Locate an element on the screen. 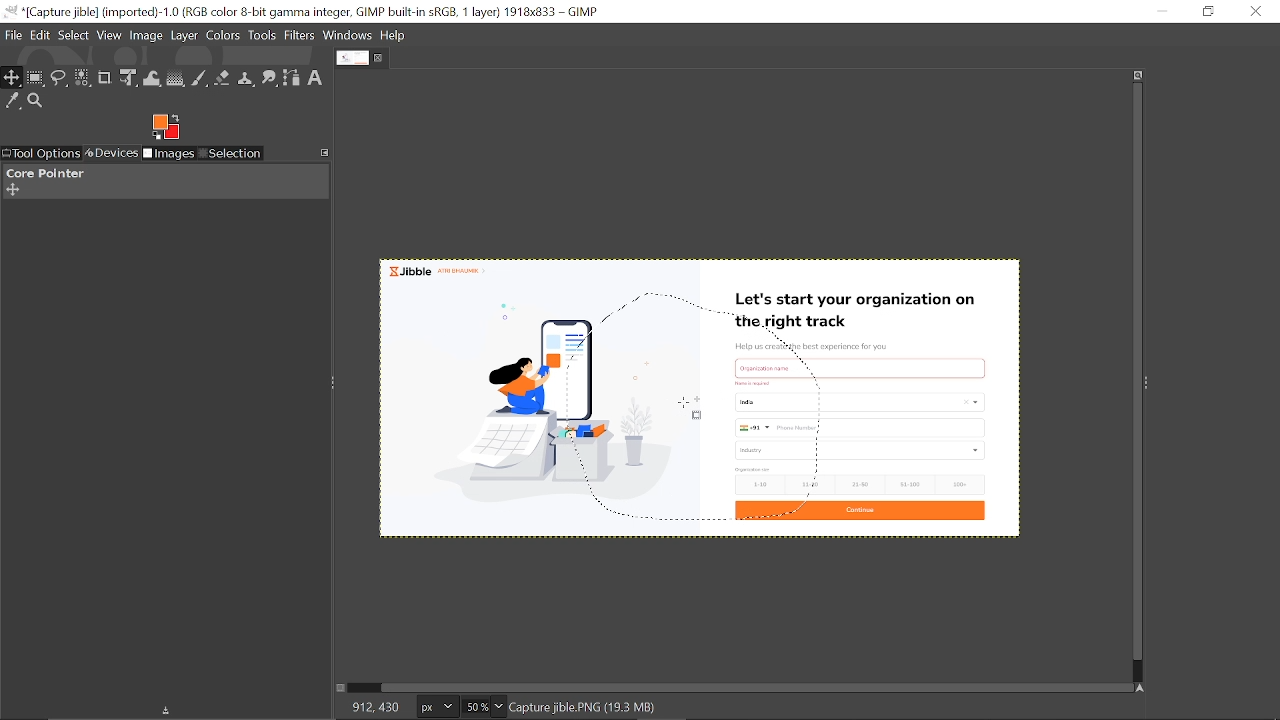 The height and width of the screenshot is (720, 1280). Phon Numbers is located at coordinates (861, 428).